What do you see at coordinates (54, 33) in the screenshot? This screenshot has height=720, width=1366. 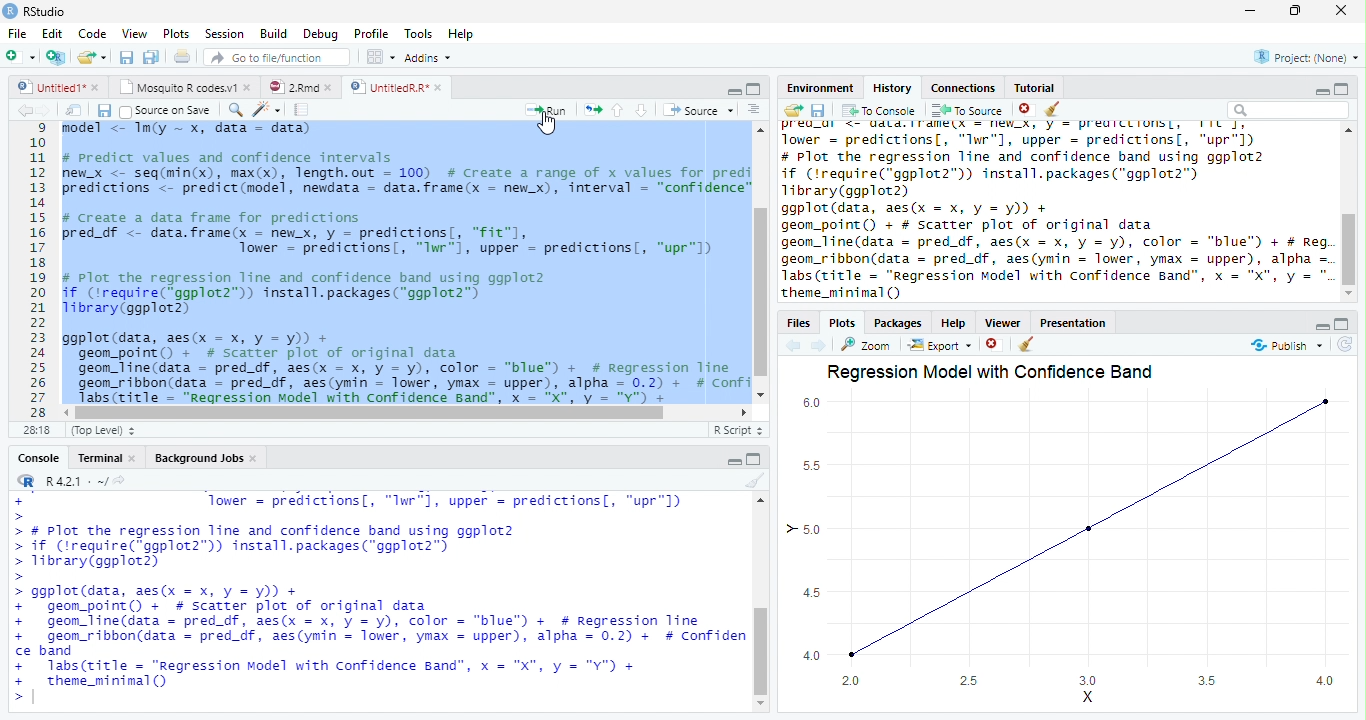 I see `Edit` at bounding box center [54, 33].